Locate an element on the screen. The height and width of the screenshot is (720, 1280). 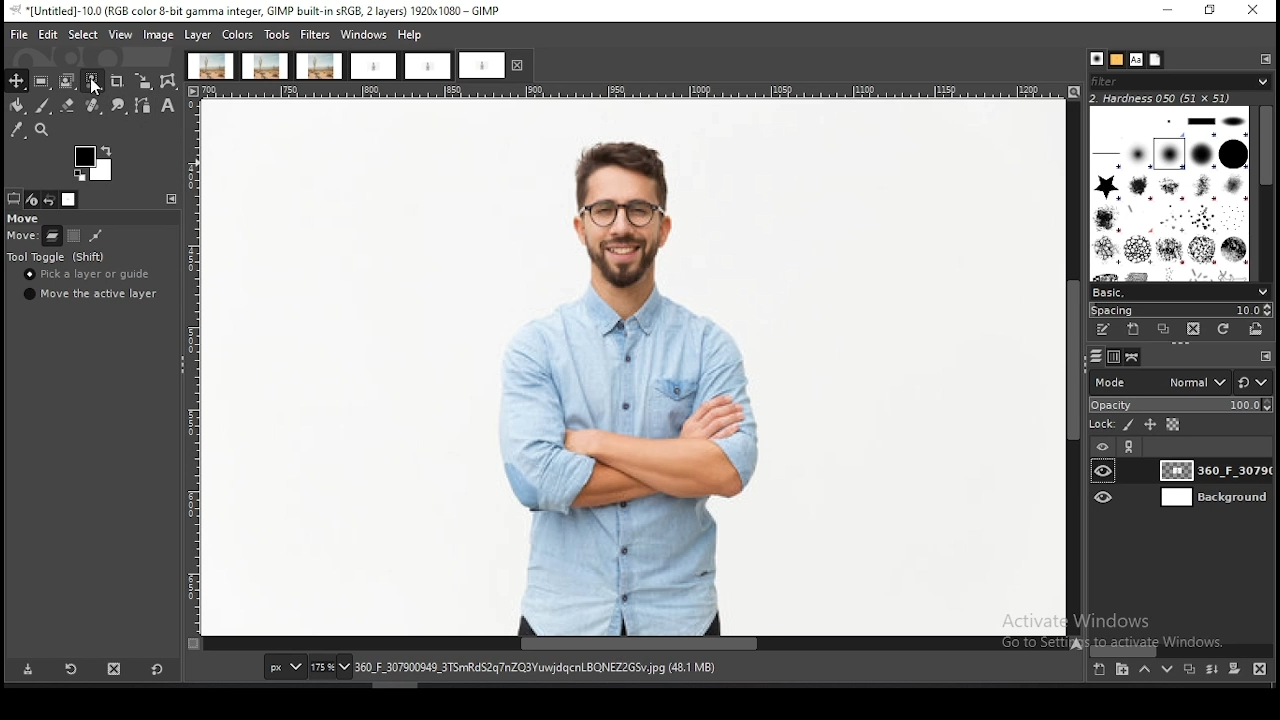
rectangle select tool is located at coordinates (41, 81).